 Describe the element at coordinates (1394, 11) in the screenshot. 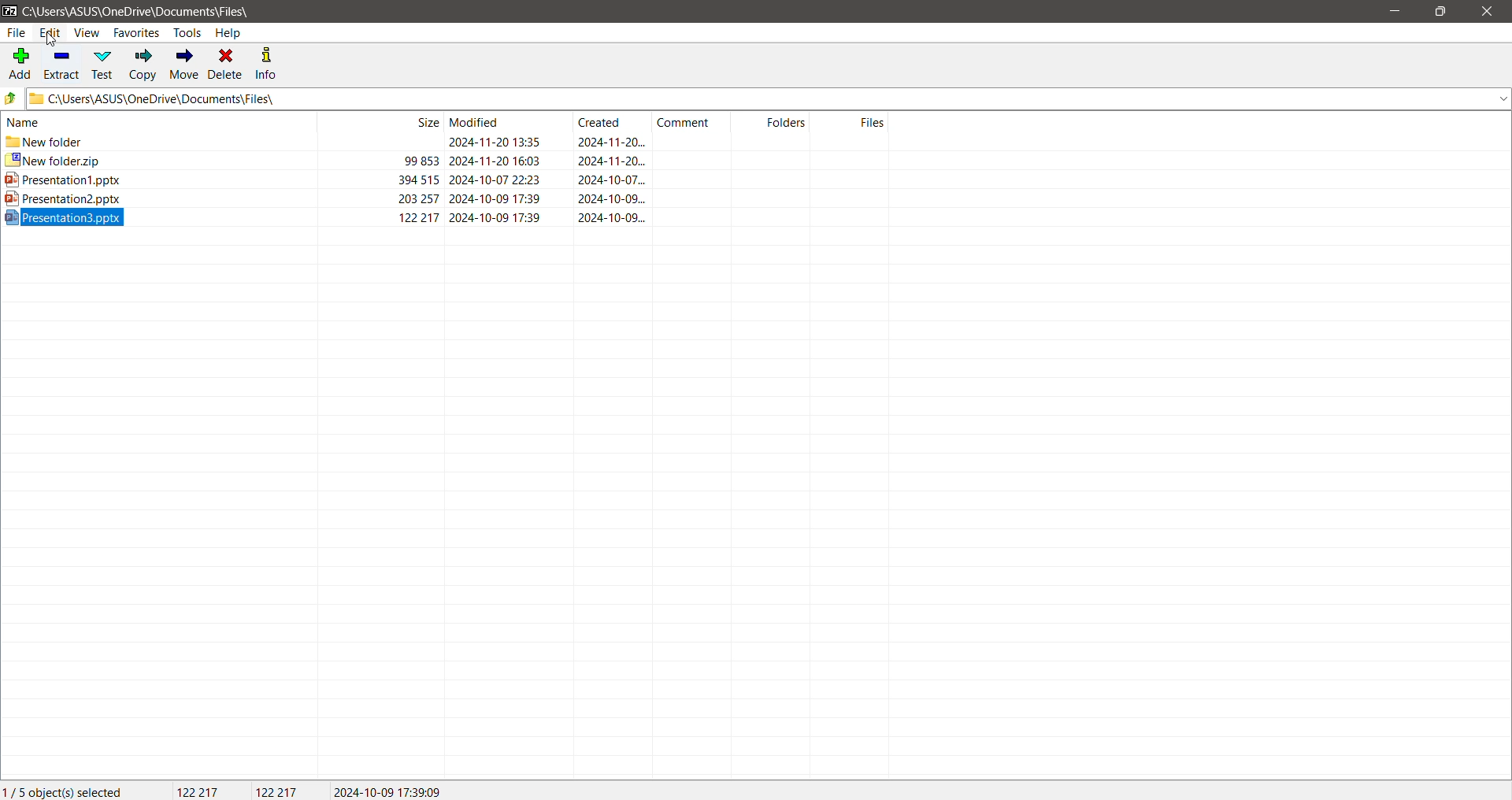

I see `Minimize` at that location.